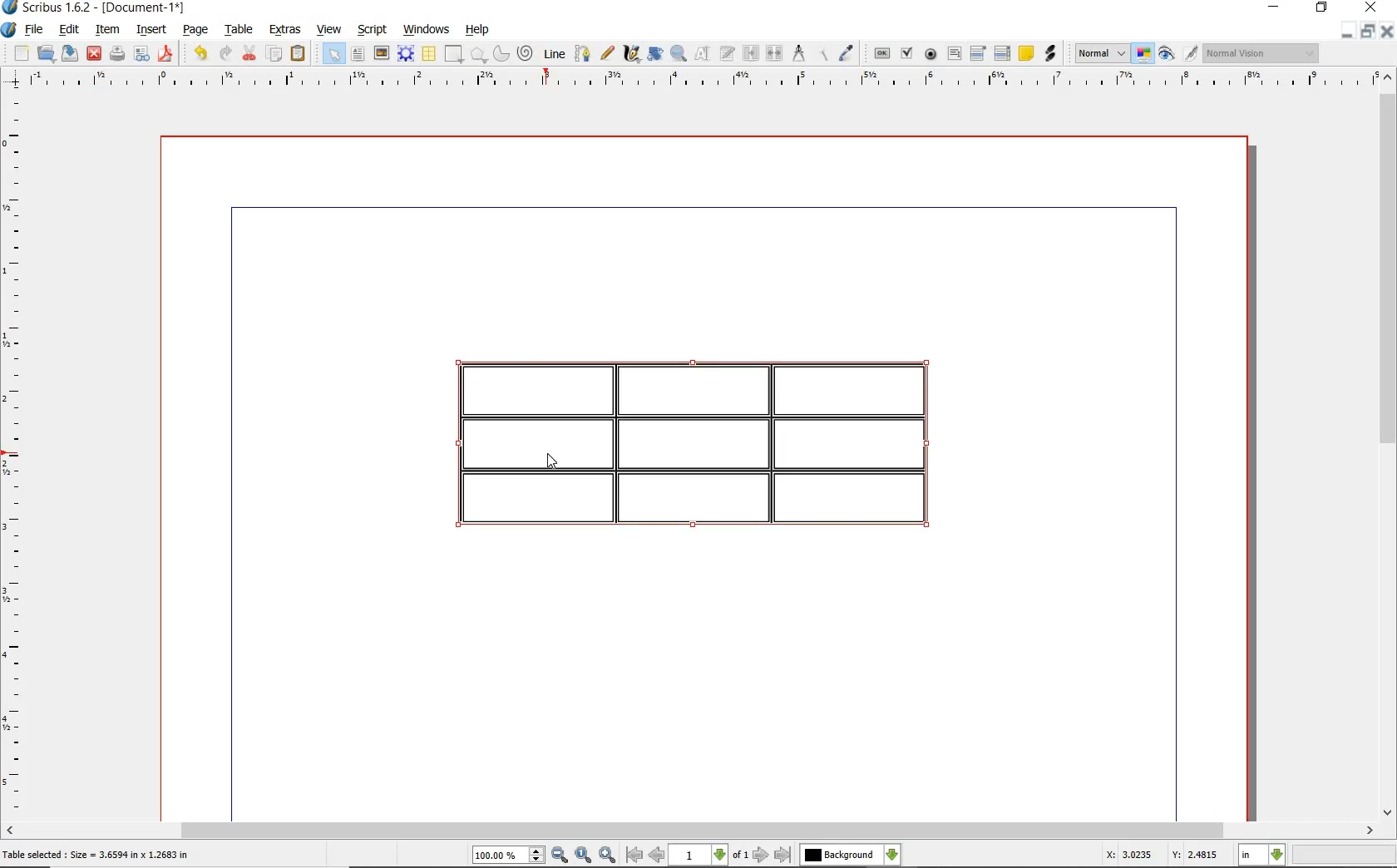 The height and width of the screenshot is (868, 1397). Describe the element at coordinates (406, 55) in the screenshot. I see `render frame` at that location.